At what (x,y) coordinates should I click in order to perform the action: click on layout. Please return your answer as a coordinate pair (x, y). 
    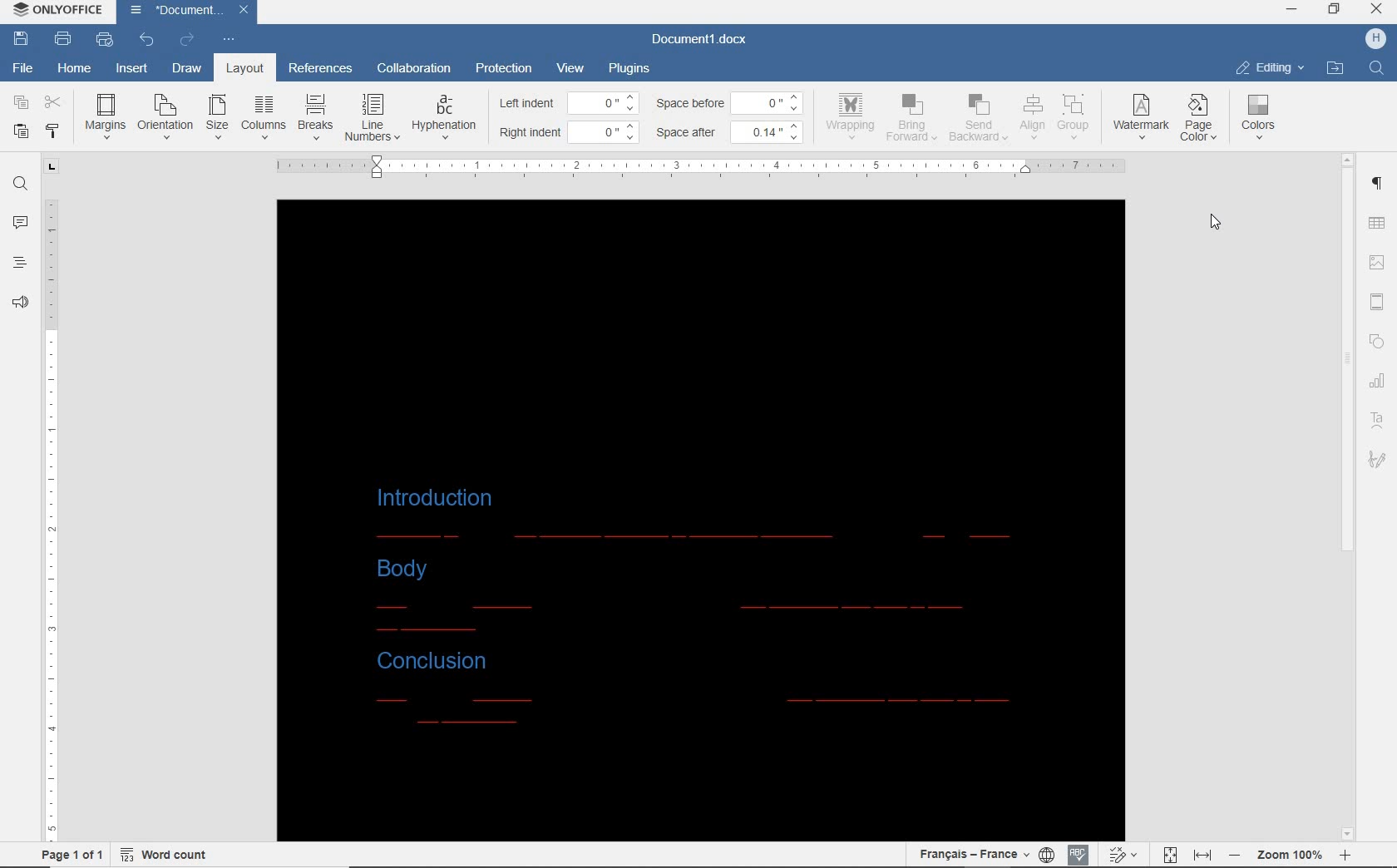
    Looking at the image, I should click on (247, 67).